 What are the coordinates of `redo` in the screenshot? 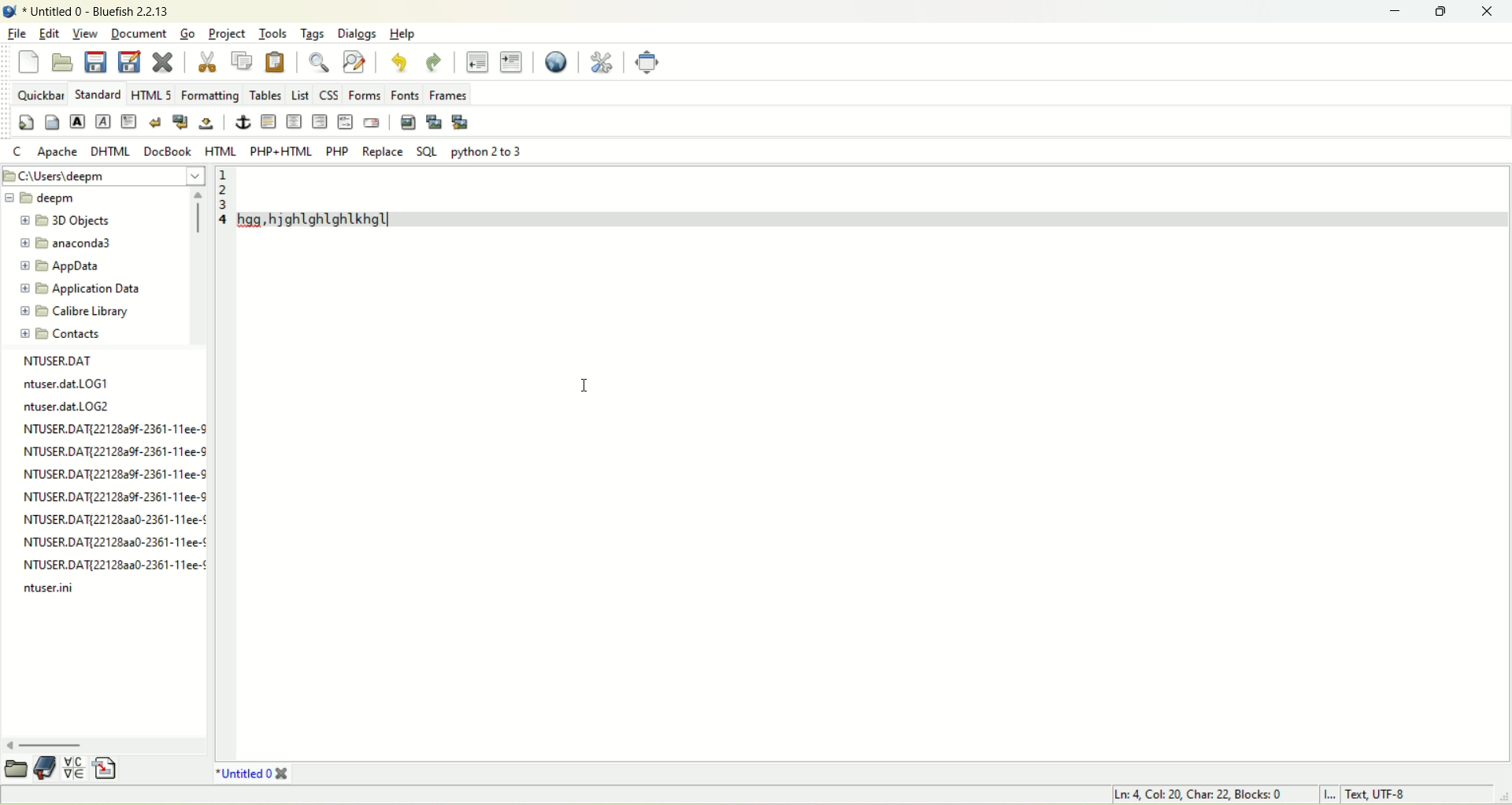 It's located at (435, 63).